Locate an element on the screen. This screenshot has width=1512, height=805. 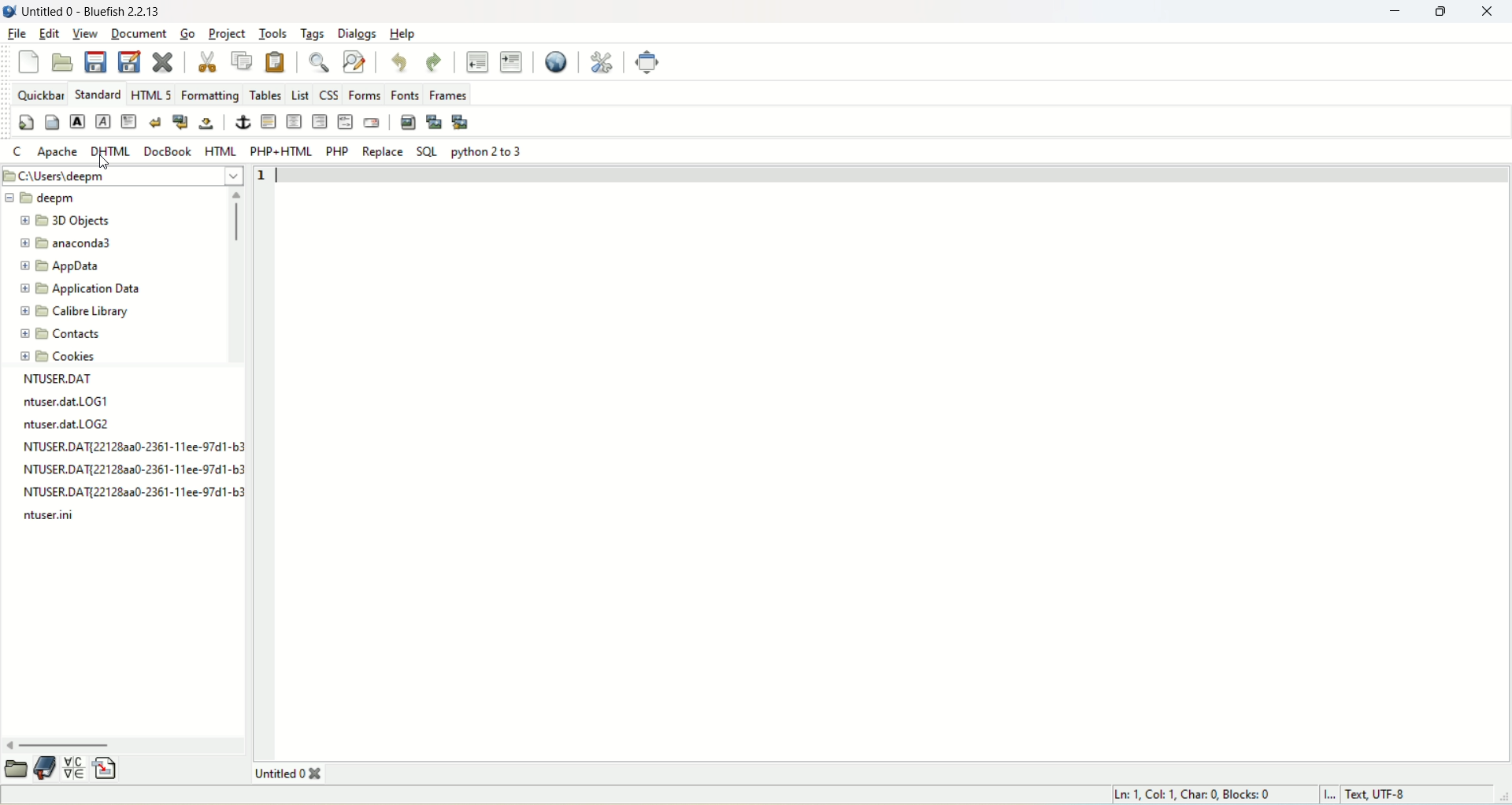
HTML comment is located at coordinates (345, 123).